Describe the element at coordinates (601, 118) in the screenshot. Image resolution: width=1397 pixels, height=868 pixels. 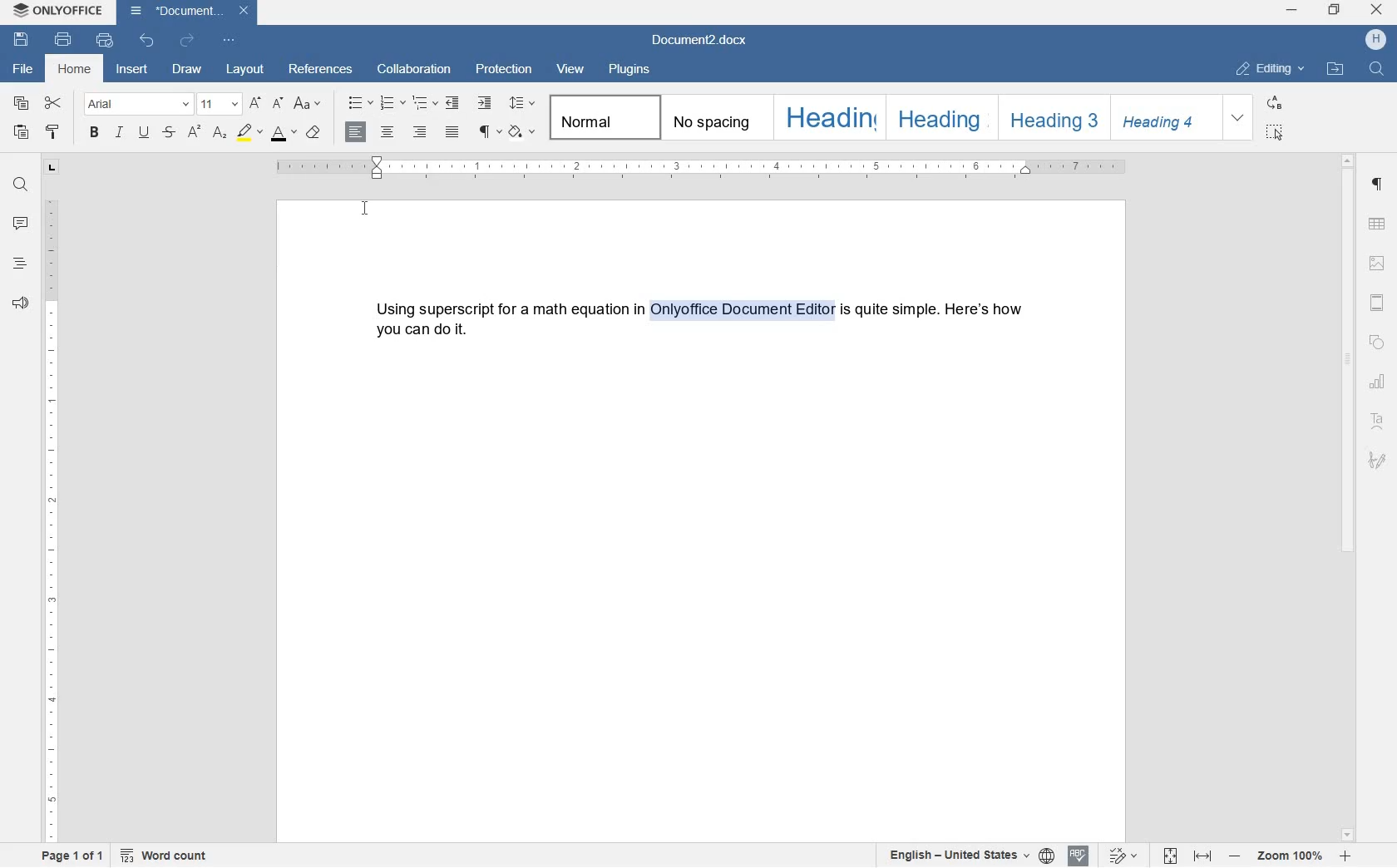
I see `normal` at that location.